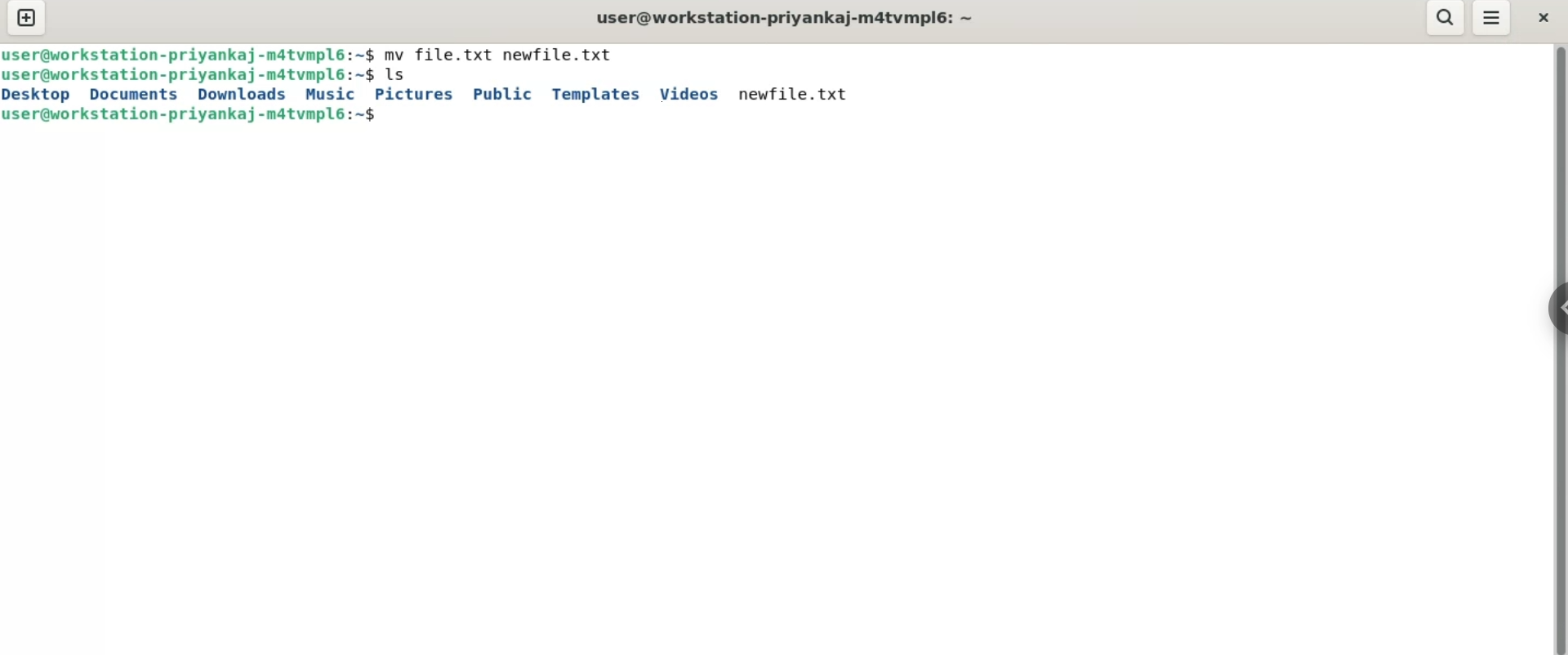 The height and width of the screenshot is (655, 1568). Describe the element at coordinates (1493, 20) in the screenshot. I see `menu` at that location.